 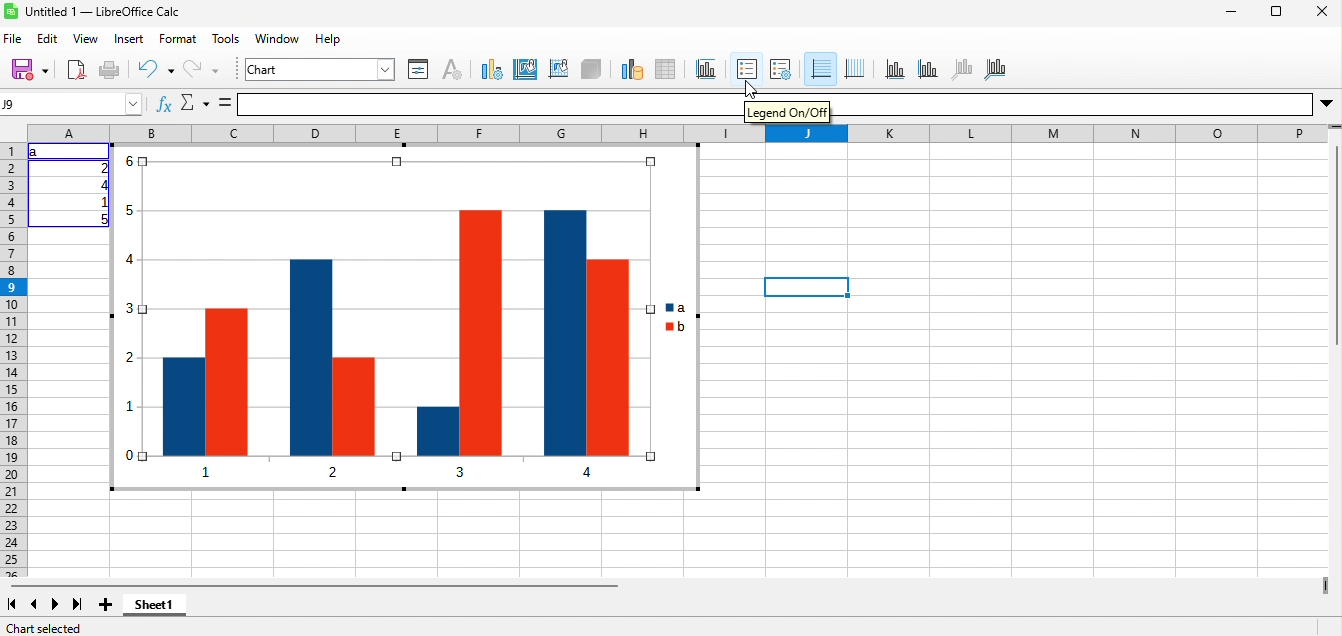 I want to click on data table, so click(x=666, y=70).